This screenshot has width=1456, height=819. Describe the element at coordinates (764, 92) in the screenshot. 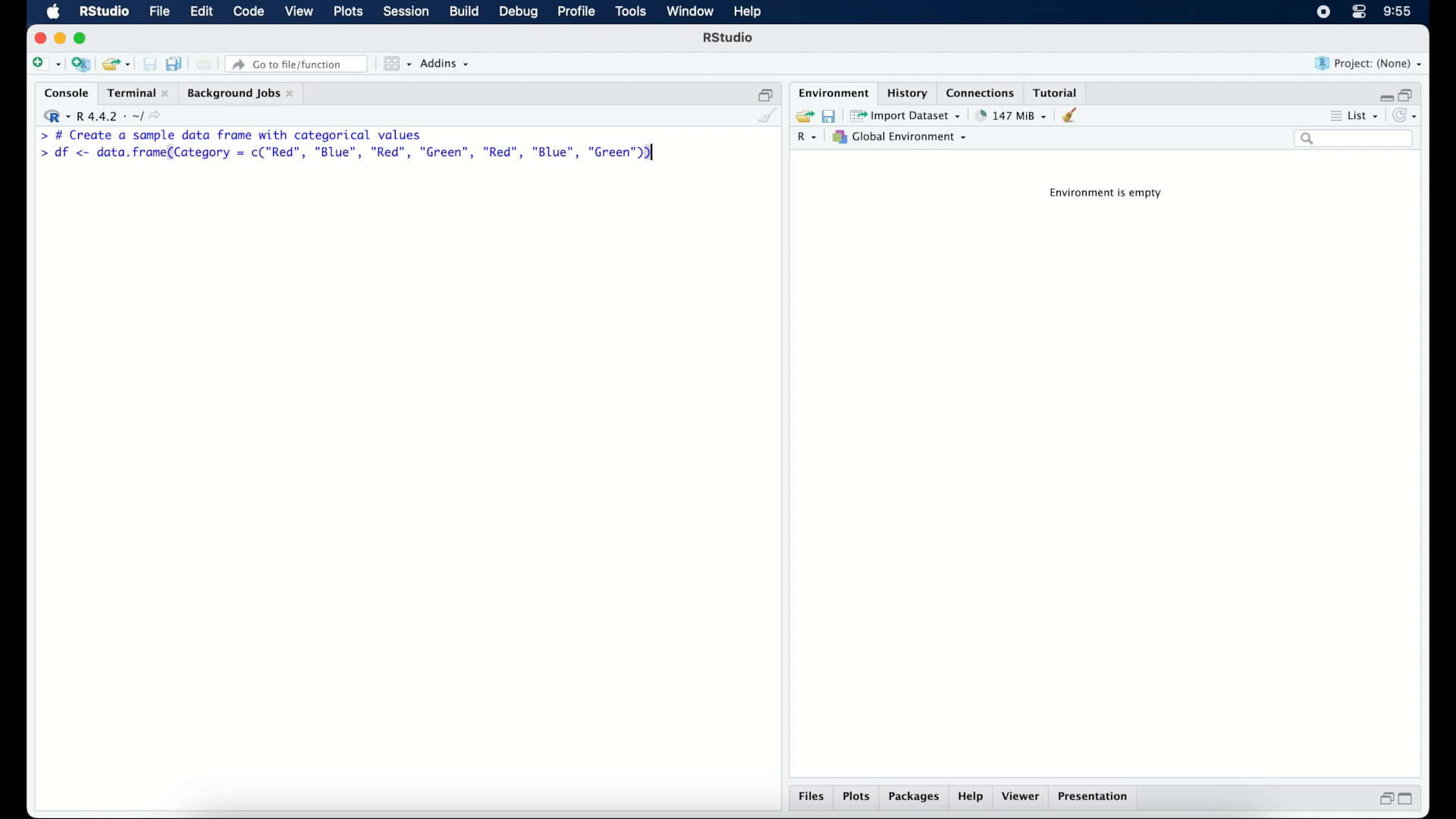

I see `restore down` at that location.